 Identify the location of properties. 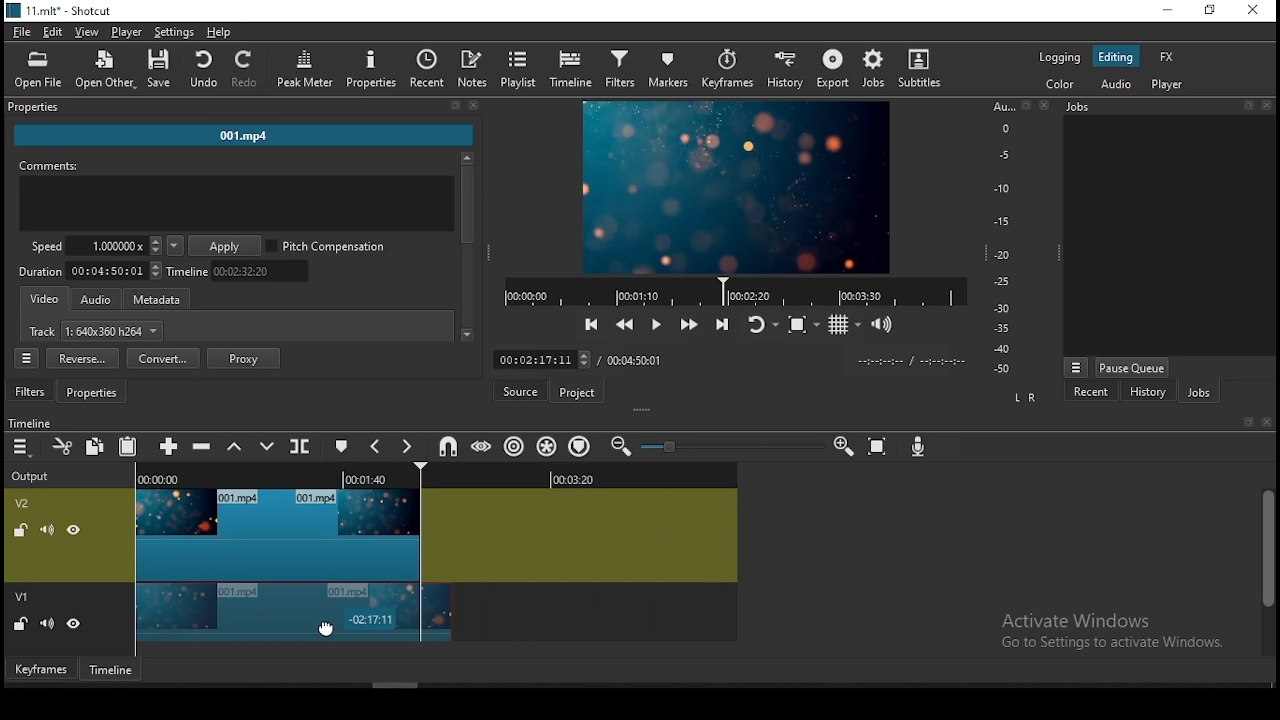
(372, 69).